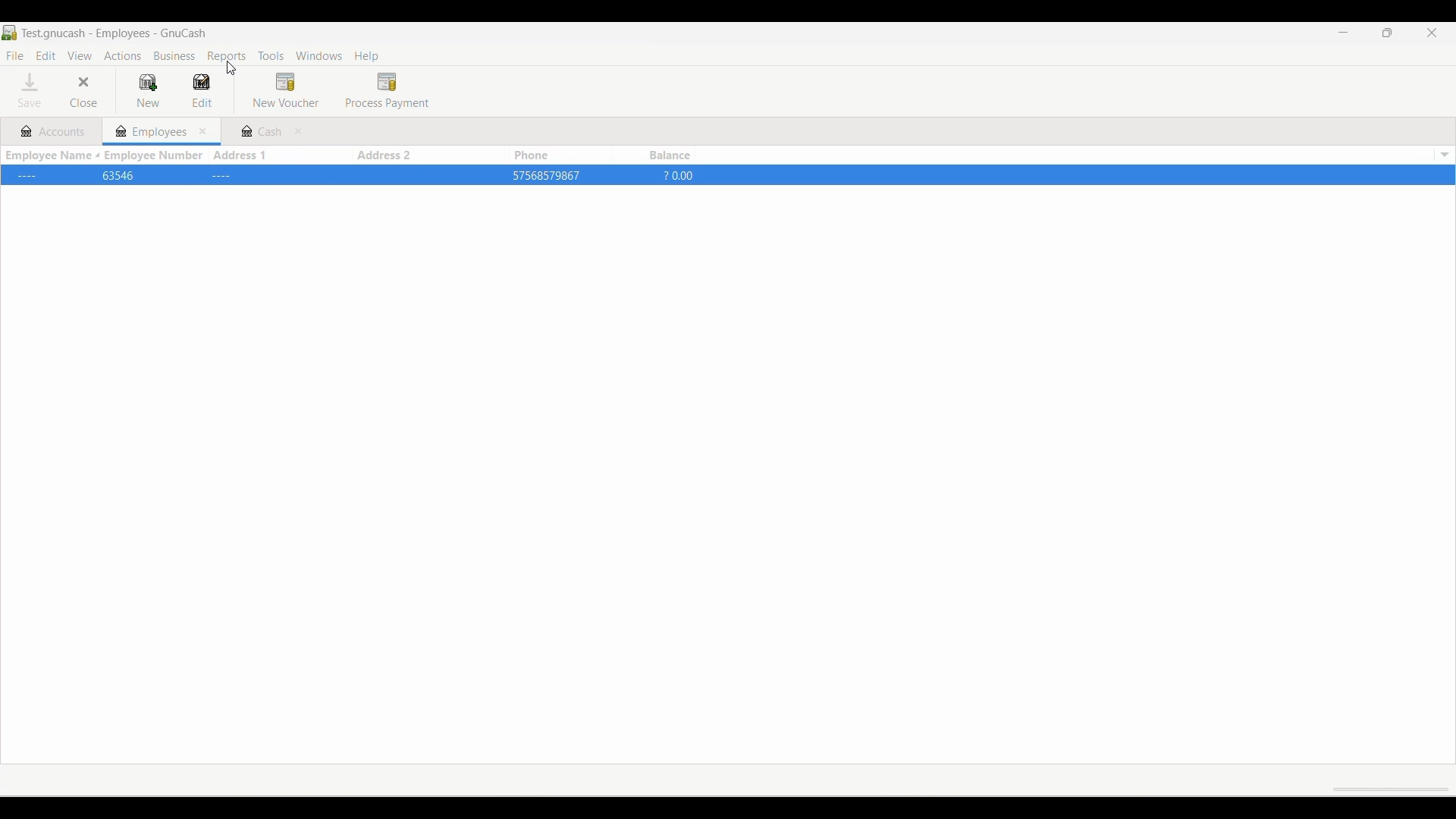  I want to click on New voucher, so click(285, 90).